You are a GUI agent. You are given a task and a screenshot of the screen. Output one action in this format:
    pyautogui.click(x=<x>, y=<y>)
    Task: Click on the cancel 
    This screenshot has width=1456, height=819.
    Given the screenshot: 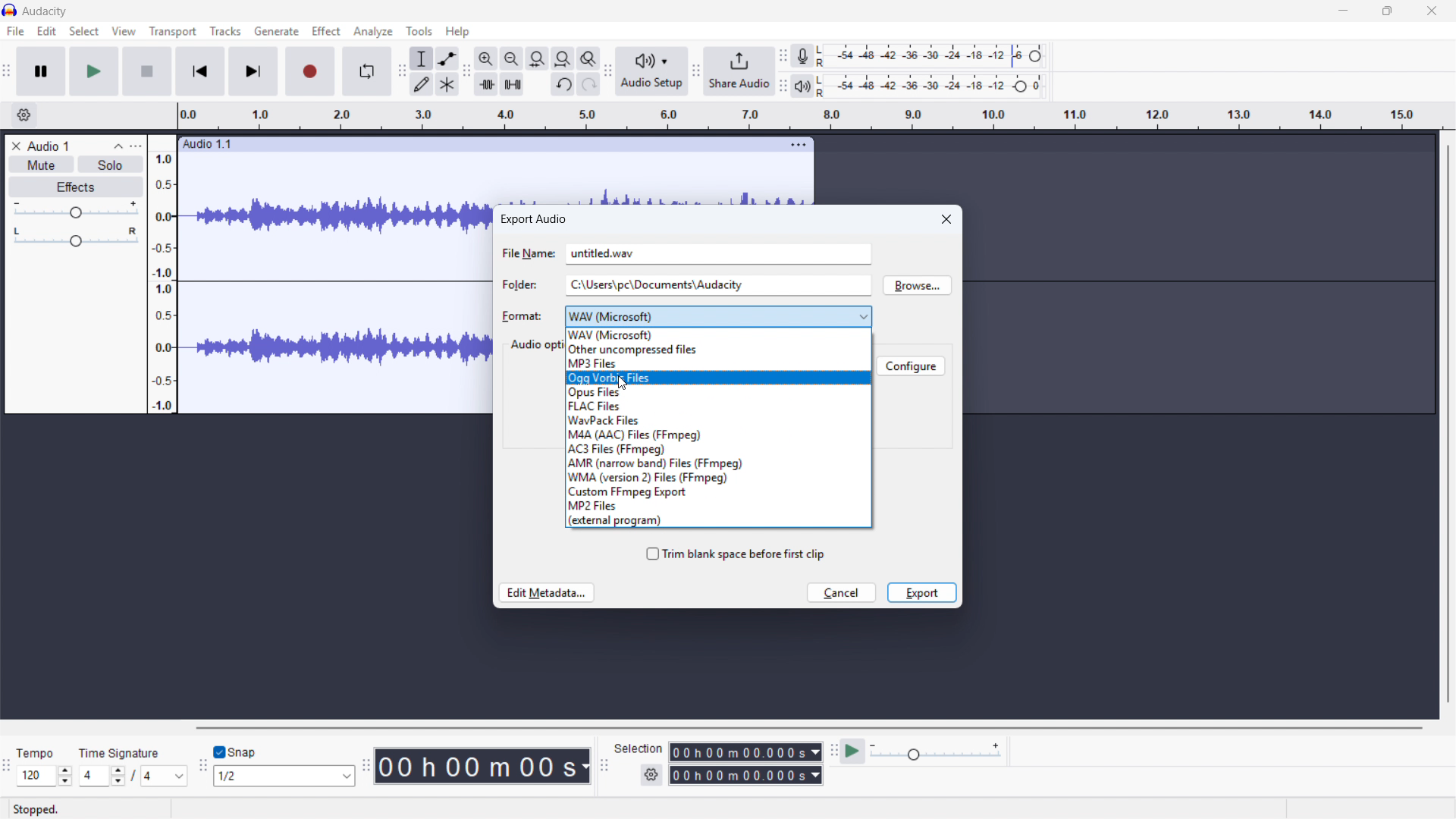 What is the action you would take?
    pyautogui.click(x=843, y=592)
    